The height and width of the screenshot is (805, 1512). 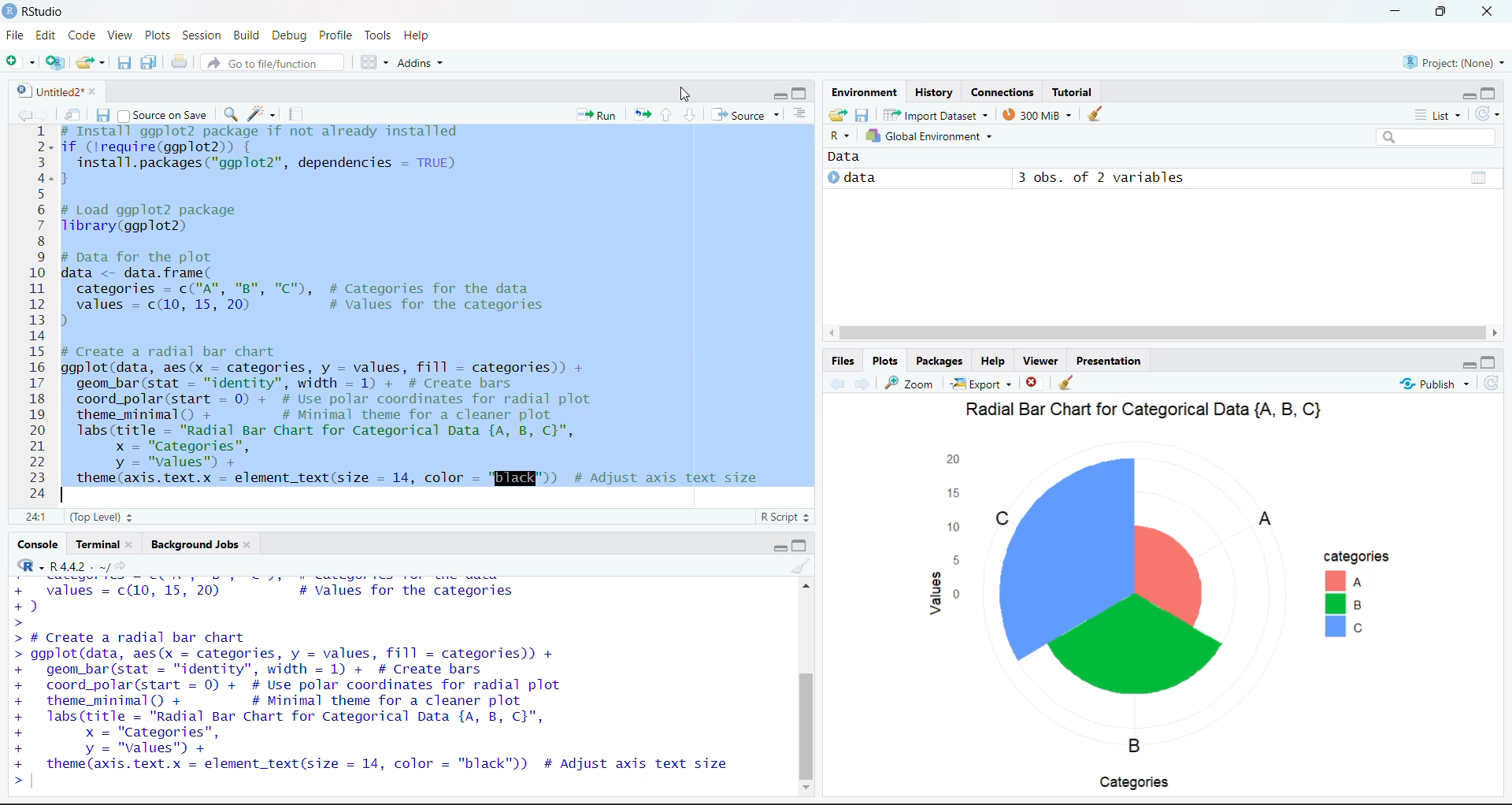 What do you see at coordinates (939, 361) in the screenshot?
I see `Packages` at bounding box center [939, 361].